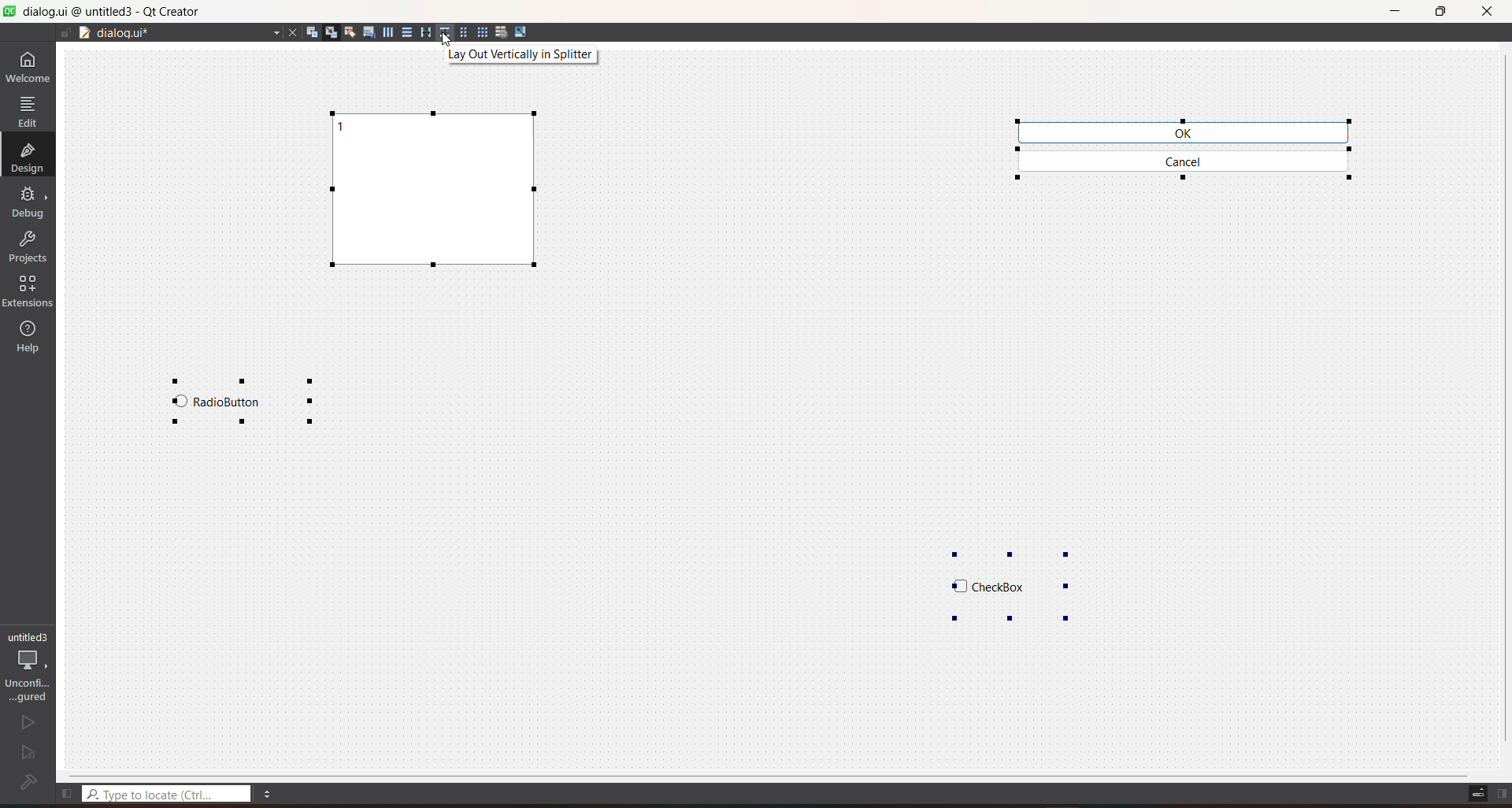 This screenshot has width=1512, height=808. What do you see at coordinates (30, 201) in the screenshot?
I see `debug` at bounding box center [30, 201].